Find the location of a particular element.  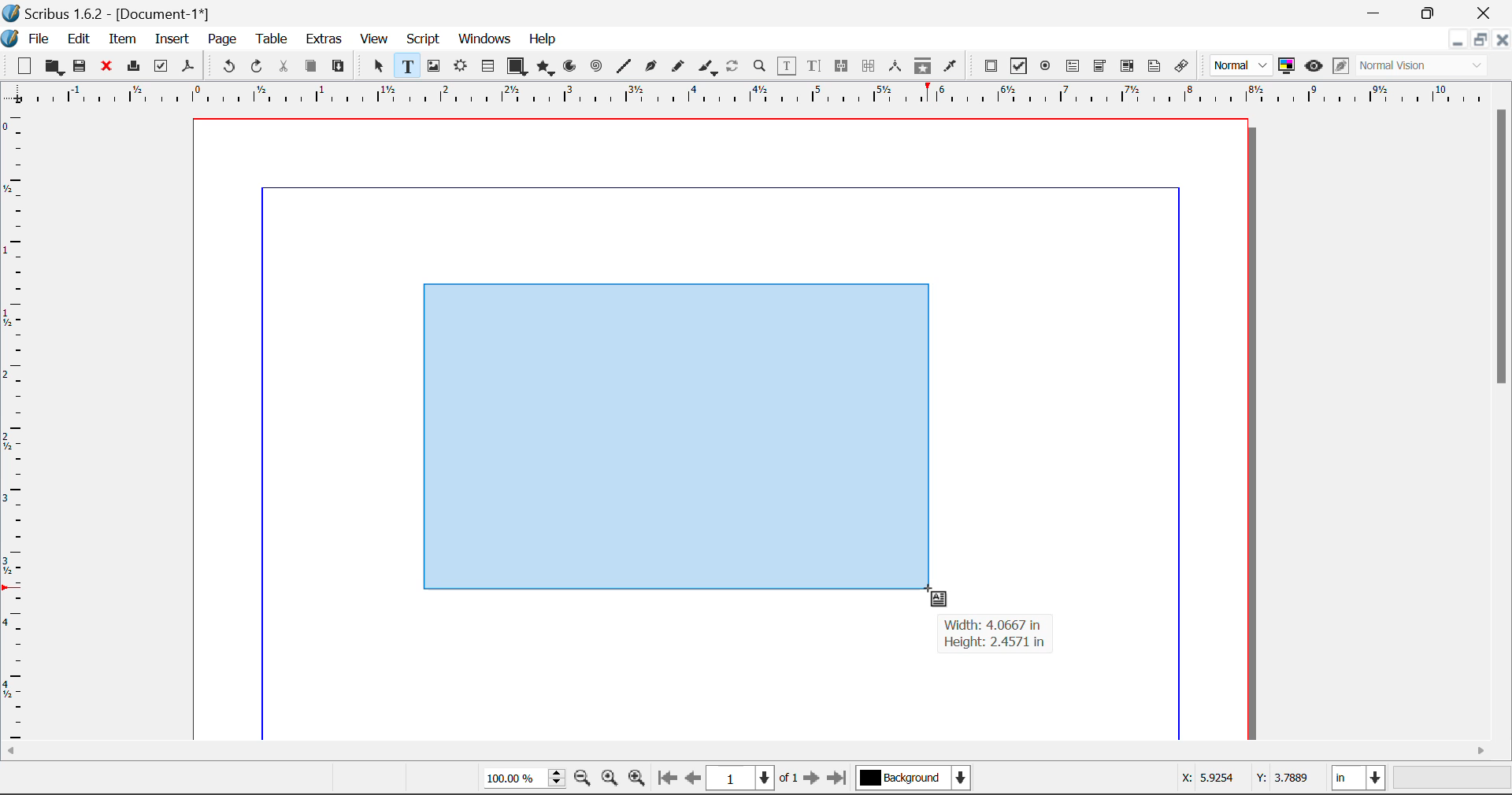

Pdf Combo Box is located at coordinates (1100, 65).